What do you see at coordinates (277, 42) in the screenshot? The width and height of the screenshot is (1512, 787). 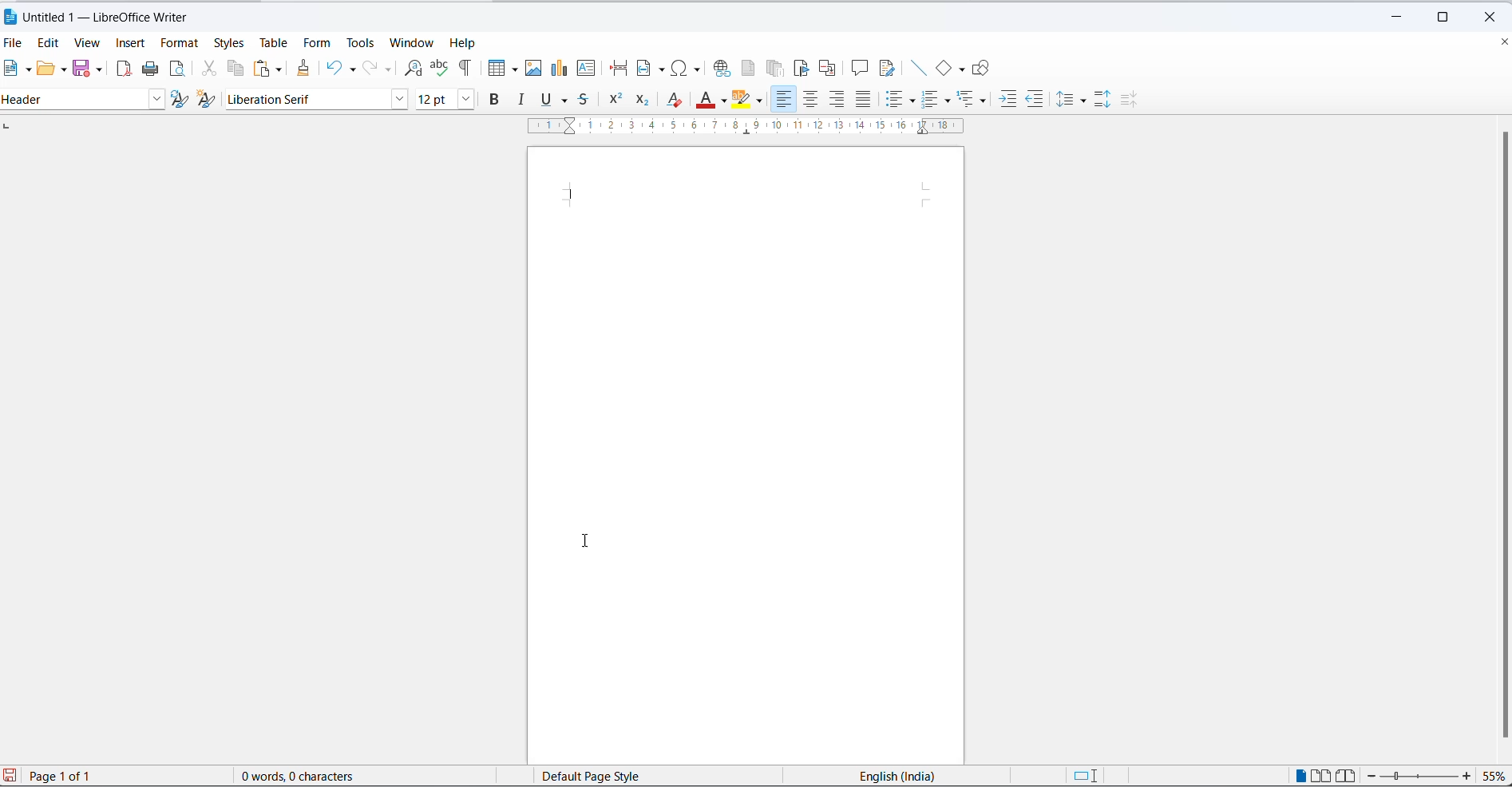 I see `table` at bounding box center [277, 42].